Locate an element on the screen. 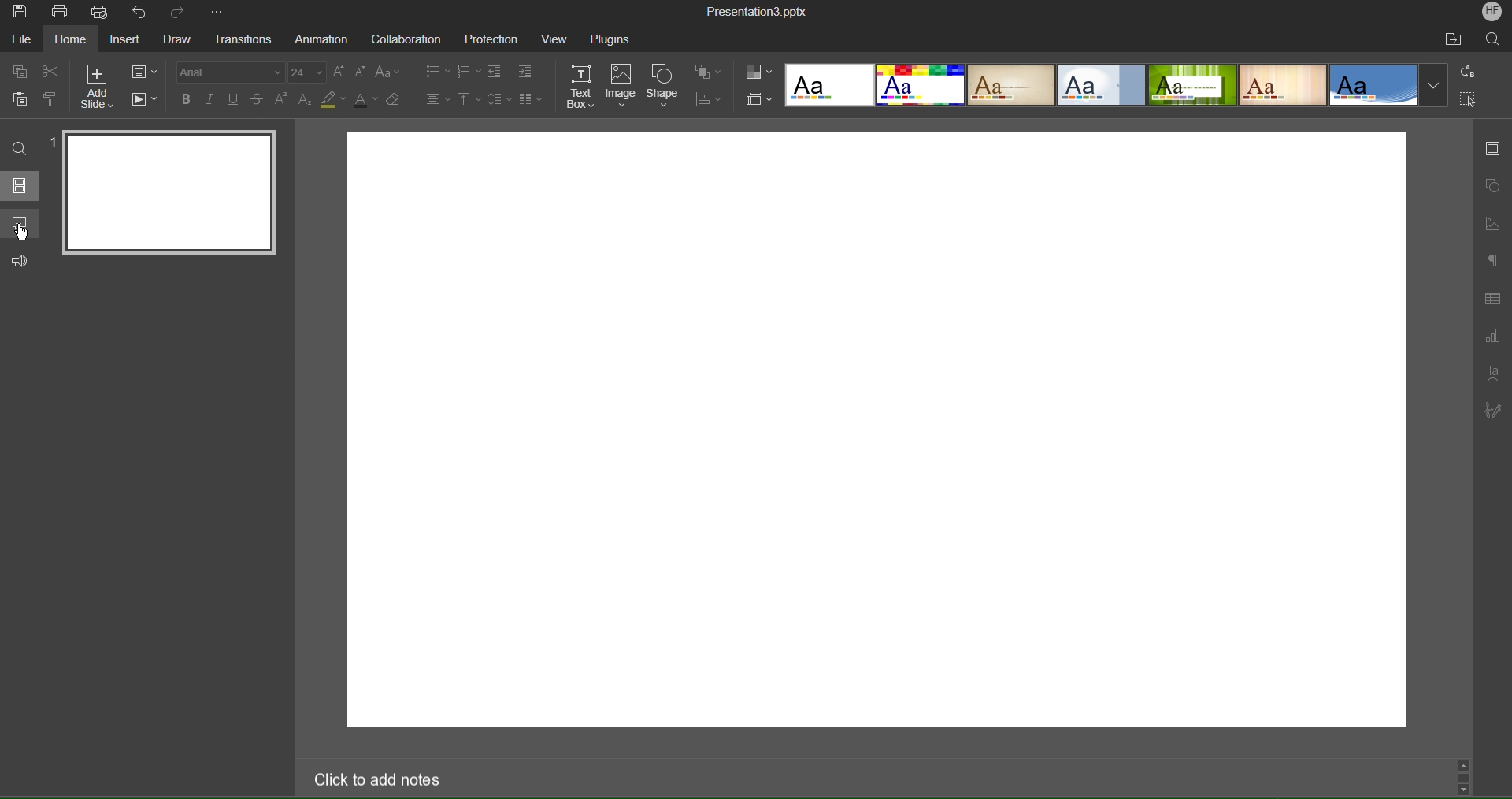 Image resolution: width=1512 pixels, height=799 pixels. Paragraph Settings is located at coordinates (1492, 258).